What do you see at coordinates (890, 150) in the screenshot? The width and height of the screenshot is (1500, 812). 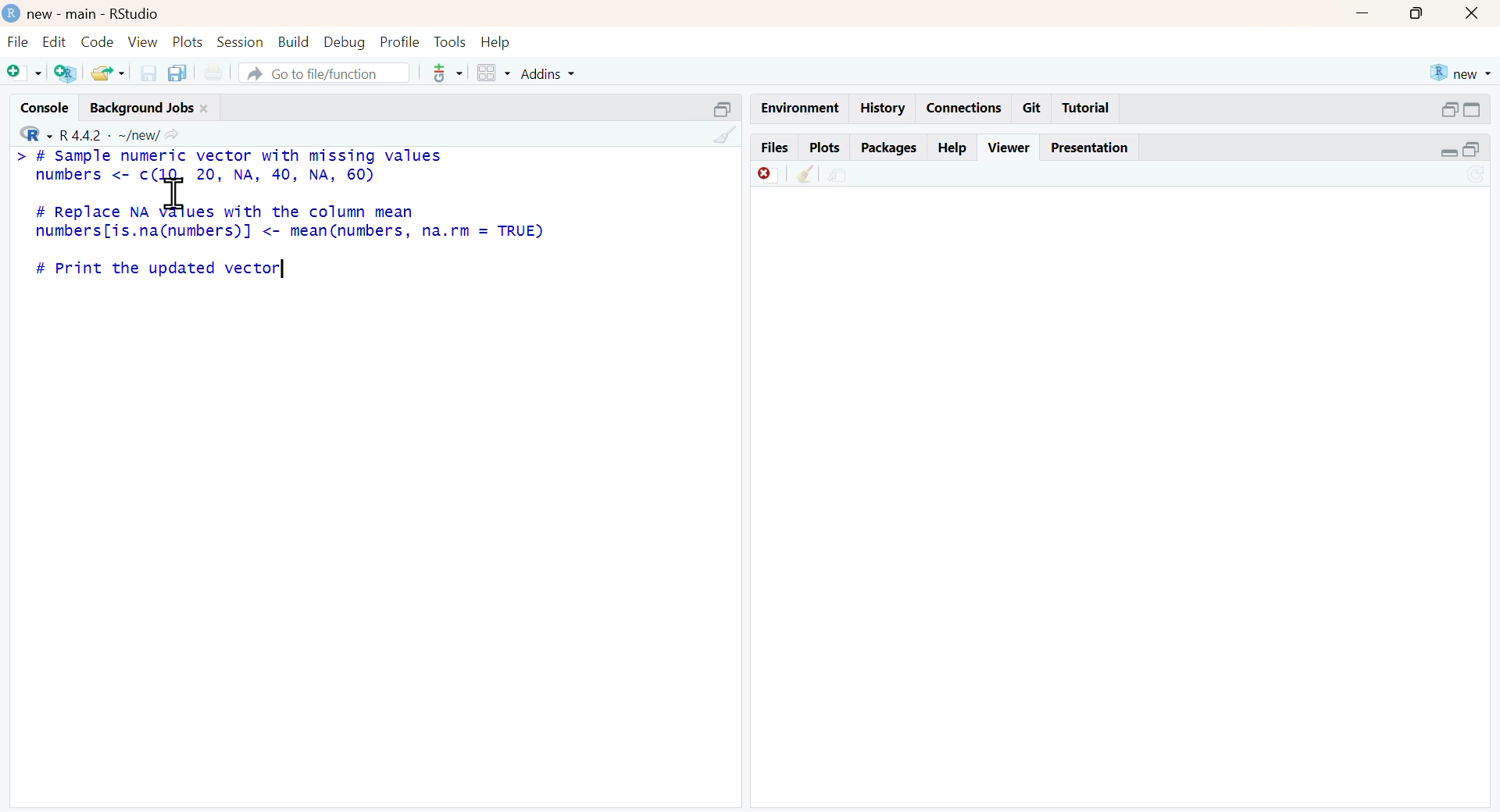 I see `packages` at bounding box center [890, 150].